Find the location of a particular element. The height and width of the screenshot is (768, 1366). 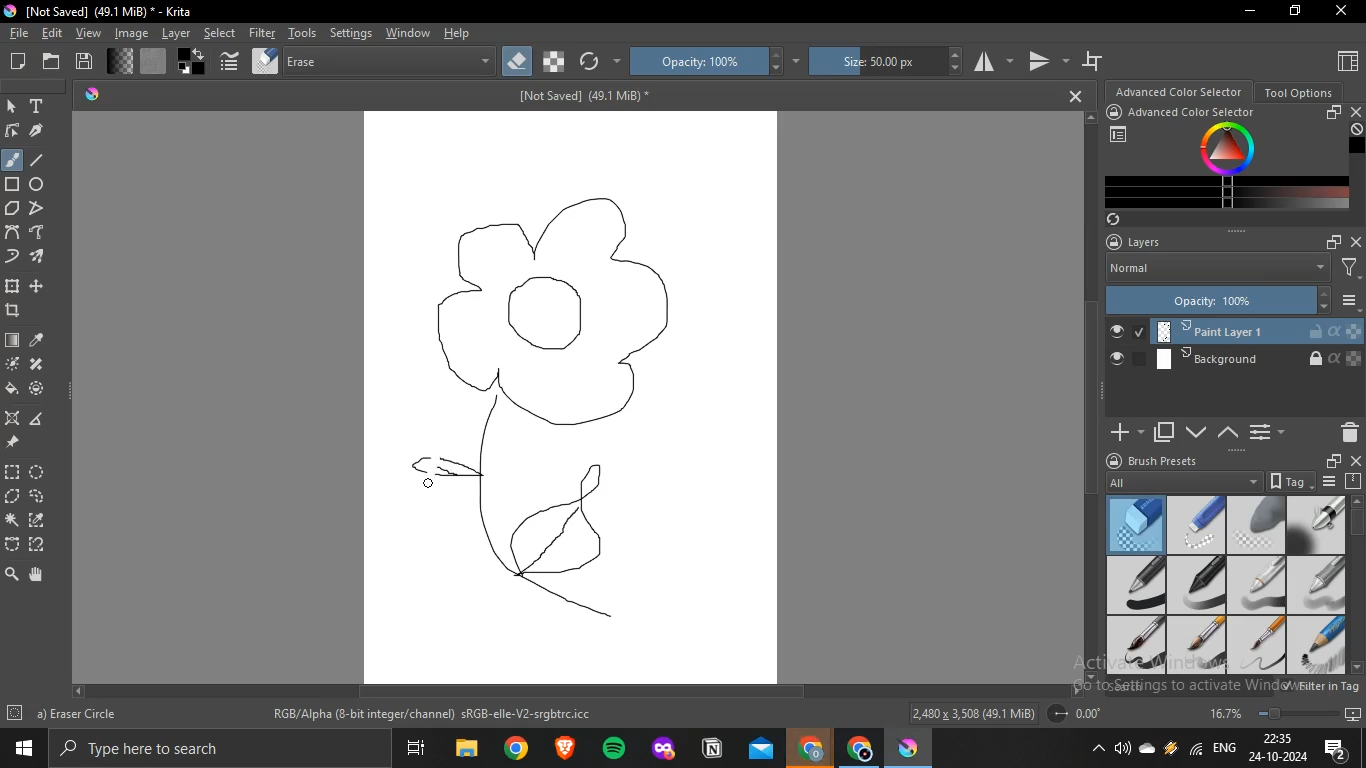

Up is located at coordinates (1093, 116).